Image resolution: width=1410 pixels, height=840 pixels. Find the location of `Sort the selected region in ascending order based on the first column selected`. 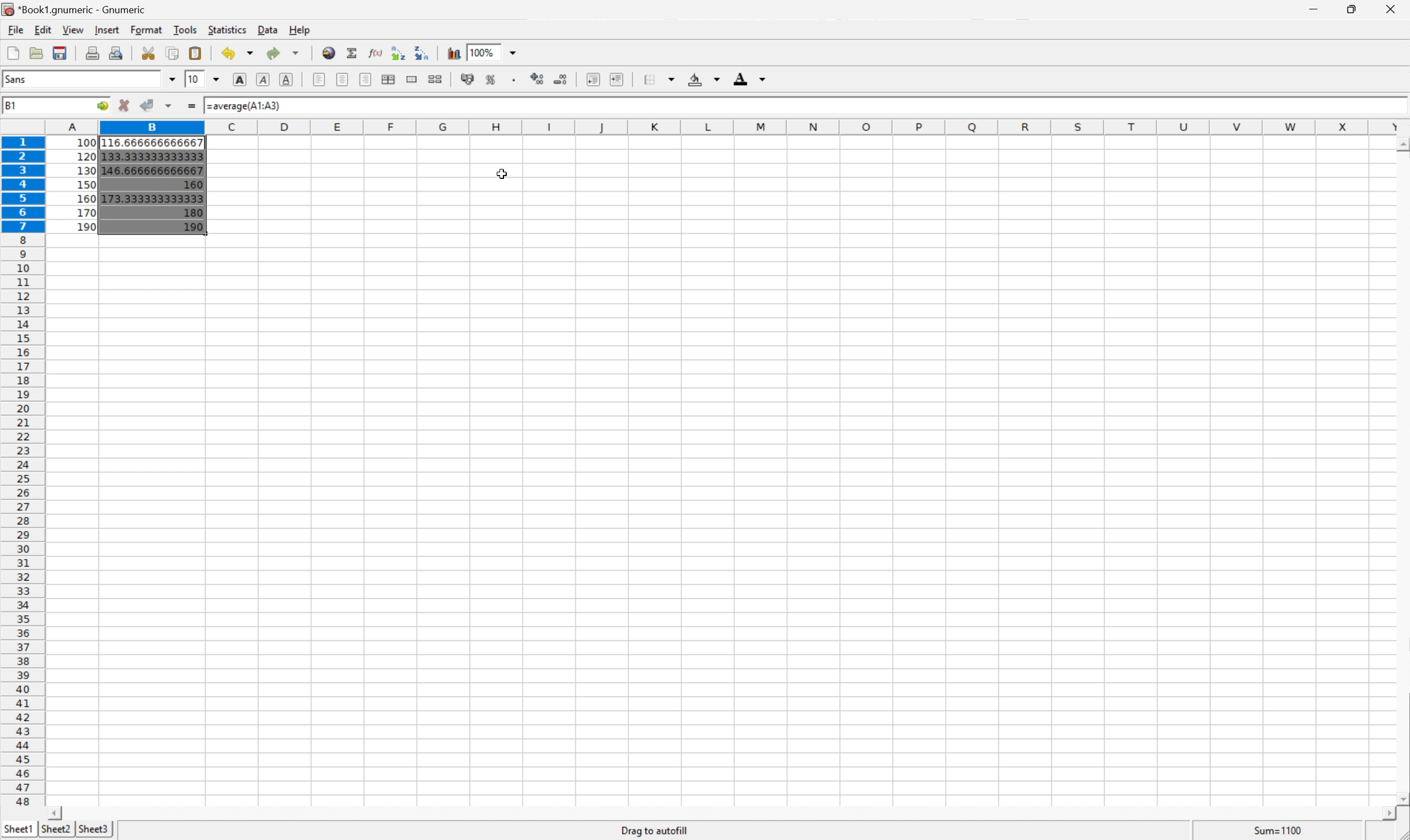

Sort the selected region in ascending order based on the first column selected is located at coordinates (399, 53).